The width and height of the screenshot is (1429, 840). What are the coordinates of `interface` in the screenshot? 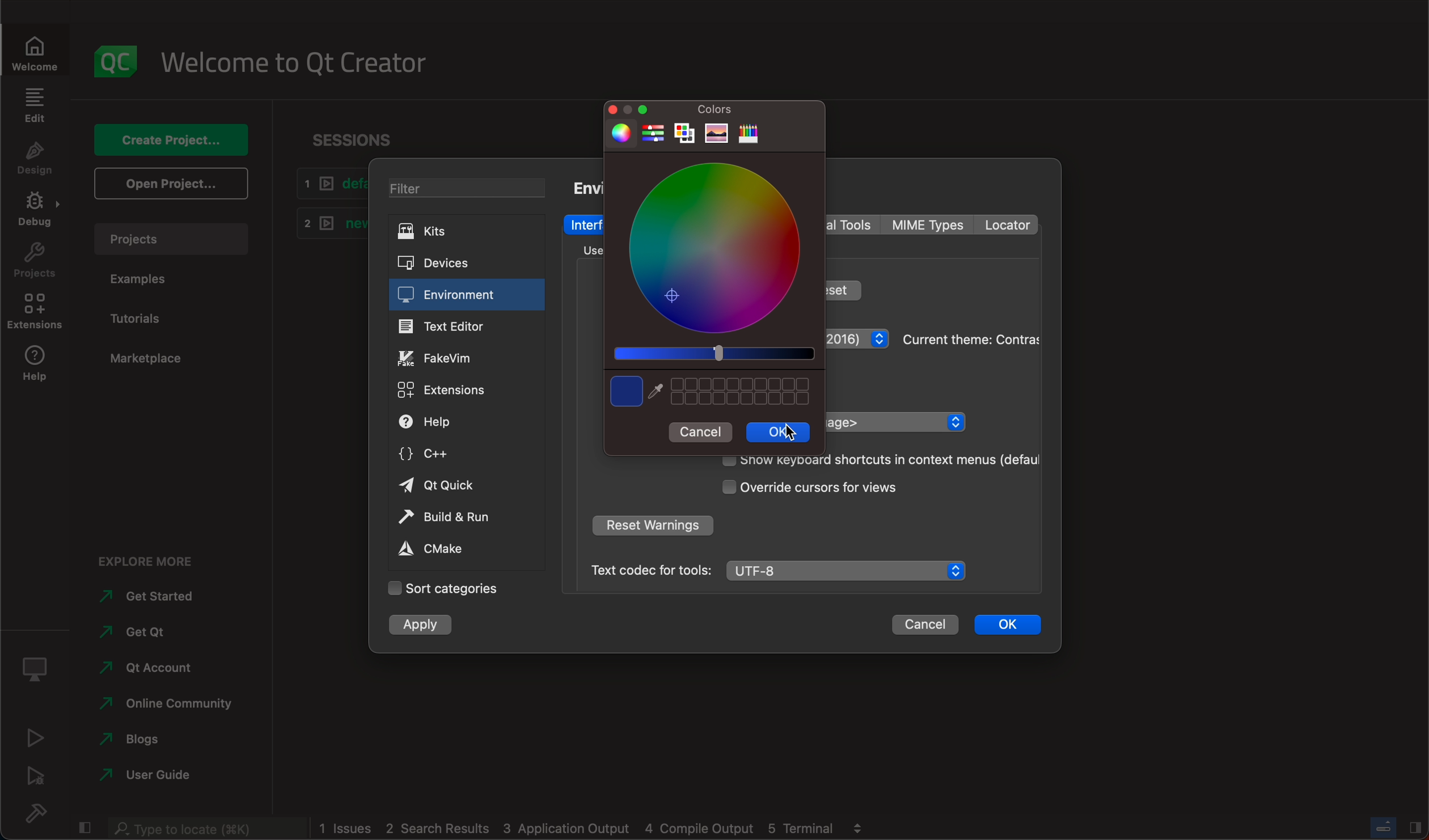 It's located at (585, 224).